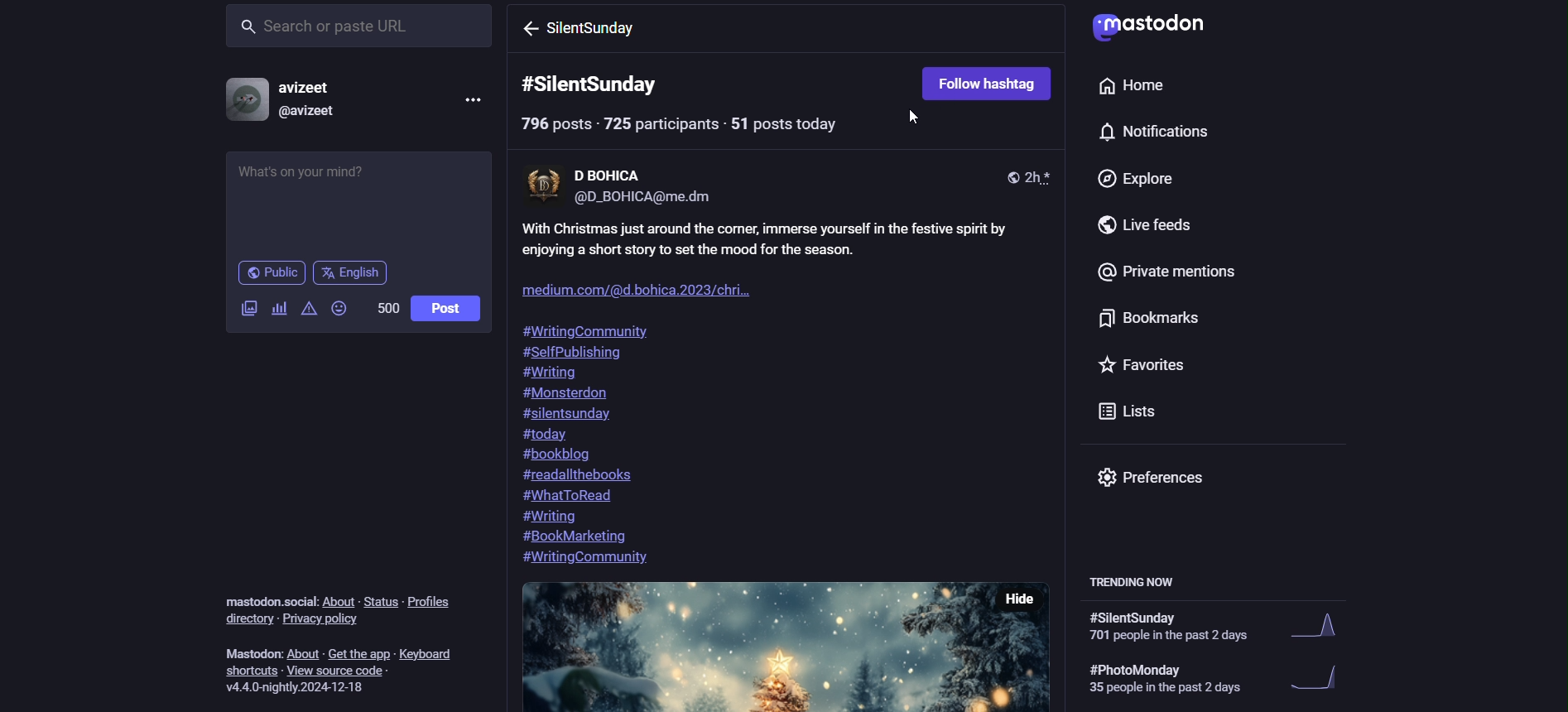 This screenshot has width=1568, height=712. Describe the element at coordinates (349, 272) in the screenshot. I see `English` at that location.